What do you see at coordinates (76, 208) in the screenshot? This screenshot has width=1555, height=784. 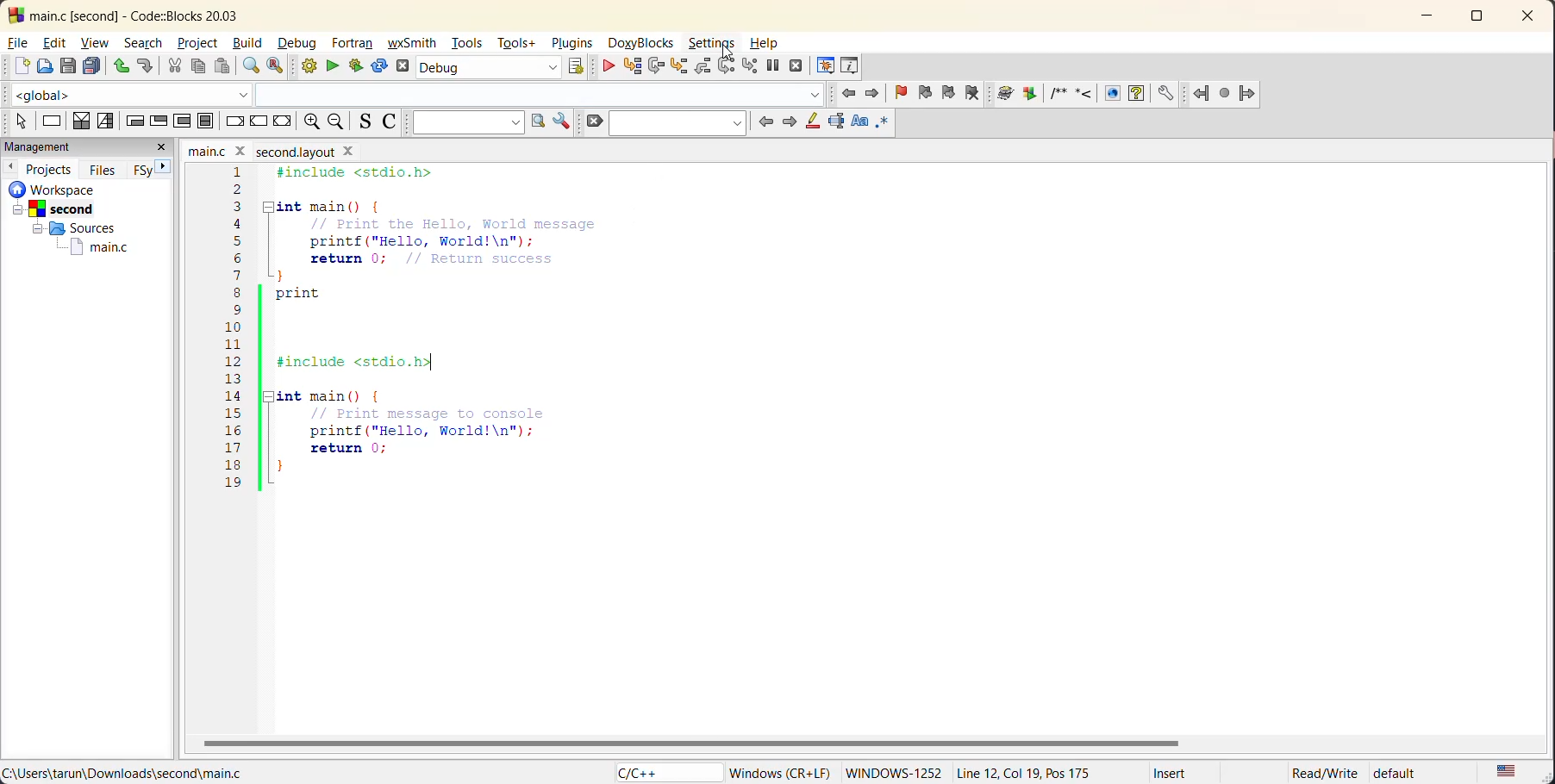 I see `Second` at bounding box center [76, 208].